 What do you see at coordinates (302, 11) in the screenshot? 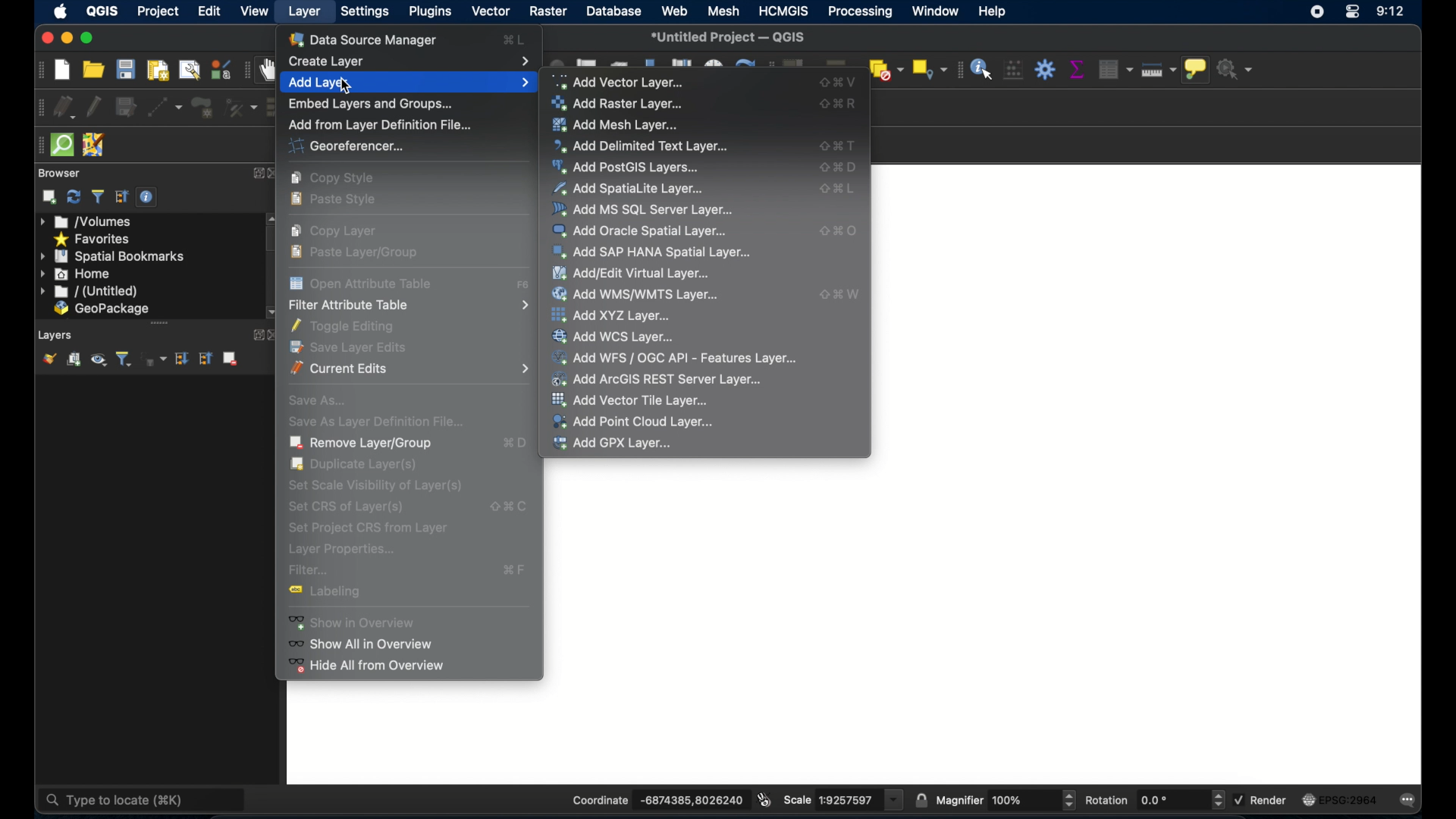
I see `layer` at bounding box center [302, 11].